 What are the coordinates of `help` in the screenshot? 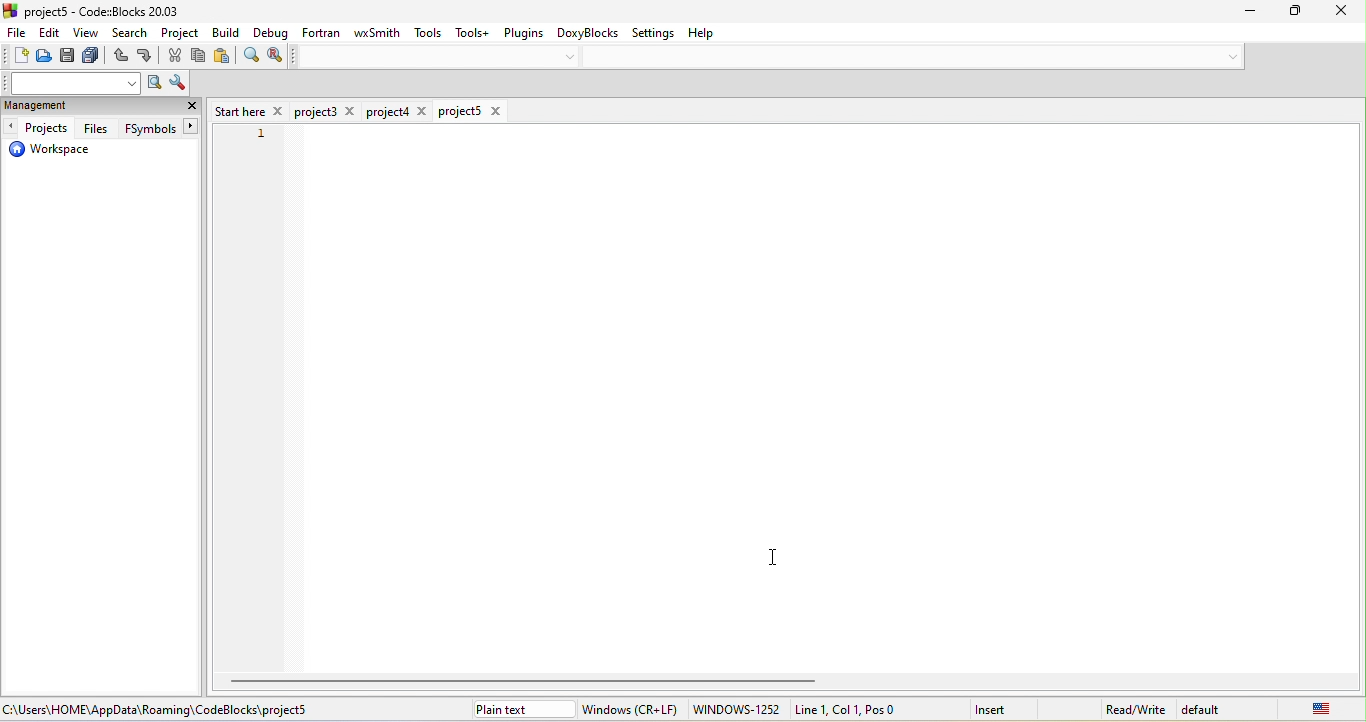 It's located at (711, 35).